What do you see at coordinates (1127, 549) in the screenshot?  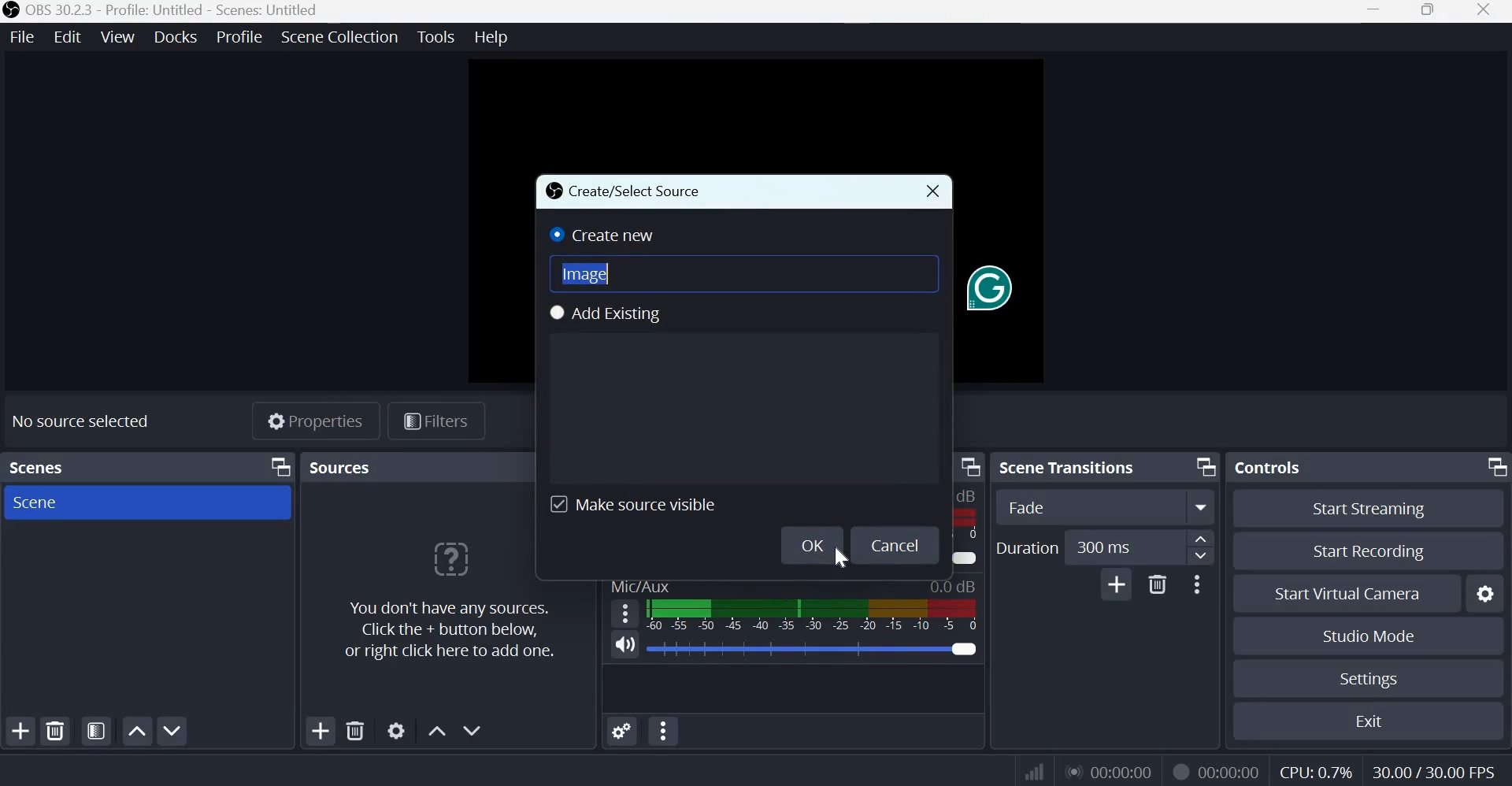 I see `300 ms` at bounding box center [1127, 549].